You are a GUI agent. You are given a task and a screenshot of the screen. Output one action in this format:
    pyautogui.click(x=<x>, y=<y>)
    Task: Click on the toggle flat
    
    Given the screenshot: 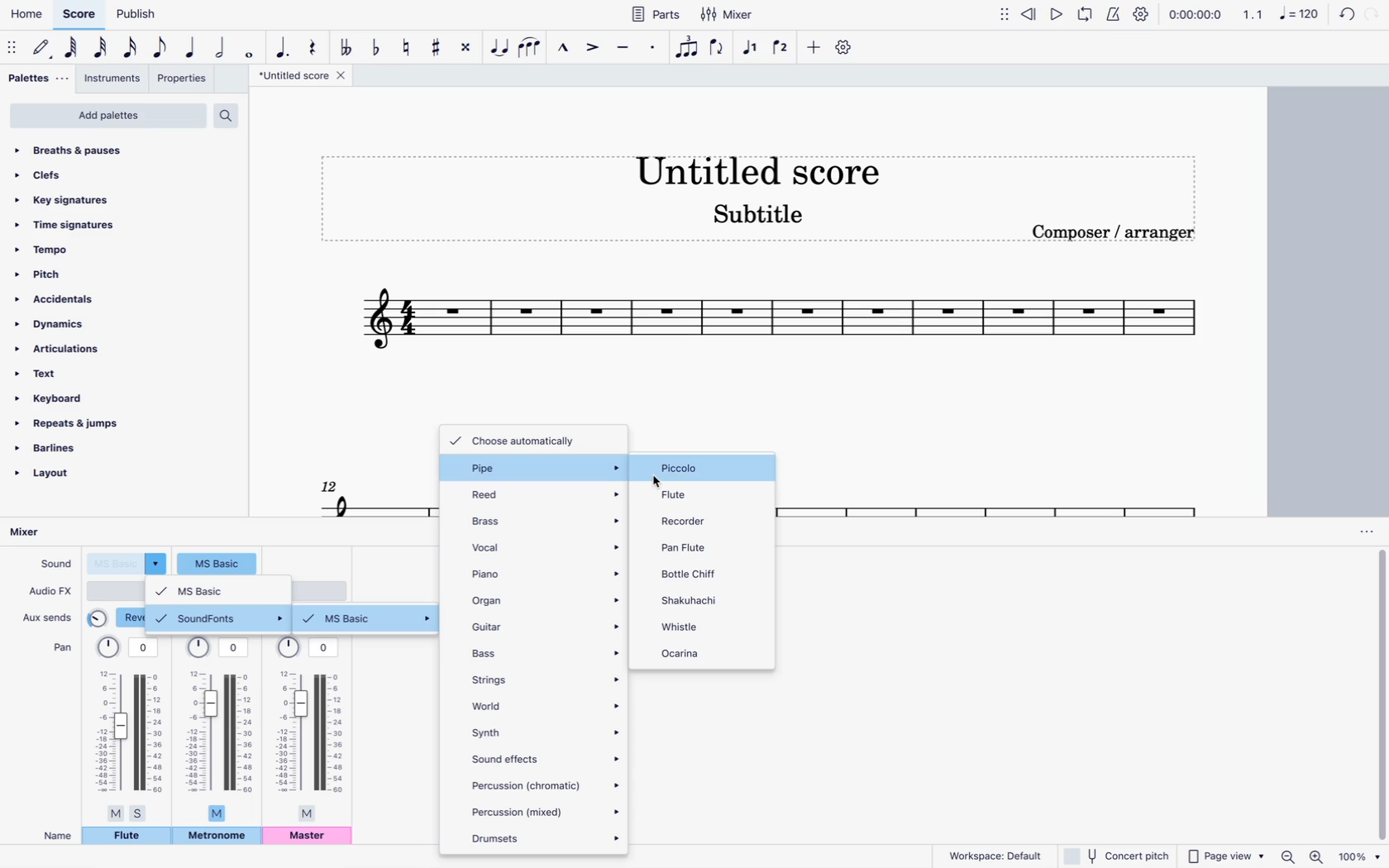 What is the action you would take?
    pyautogui.click(x=376, y=46)
    